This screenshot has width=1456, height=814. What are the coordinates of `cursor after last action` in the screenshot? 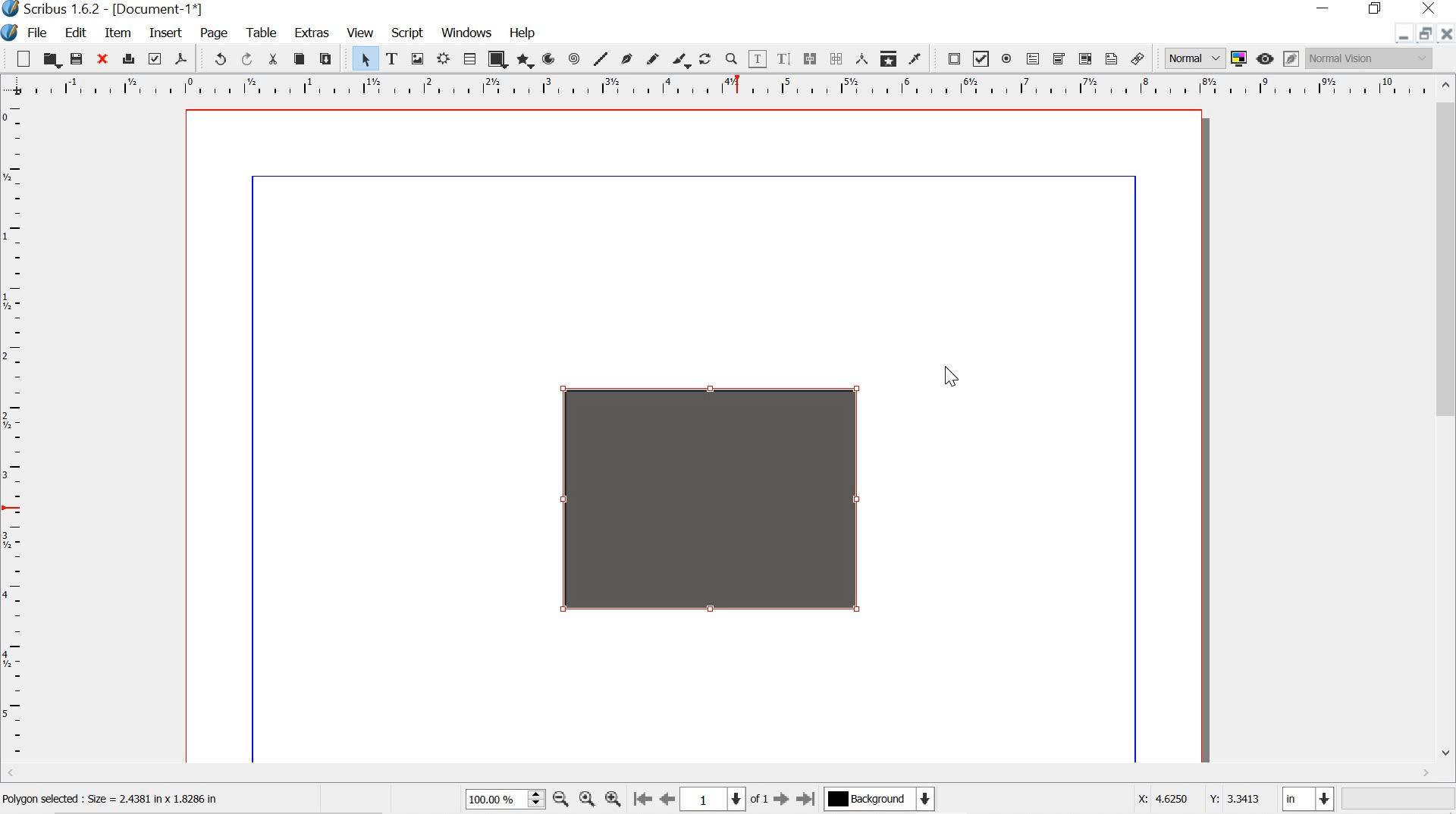 It's located at (954, 377).